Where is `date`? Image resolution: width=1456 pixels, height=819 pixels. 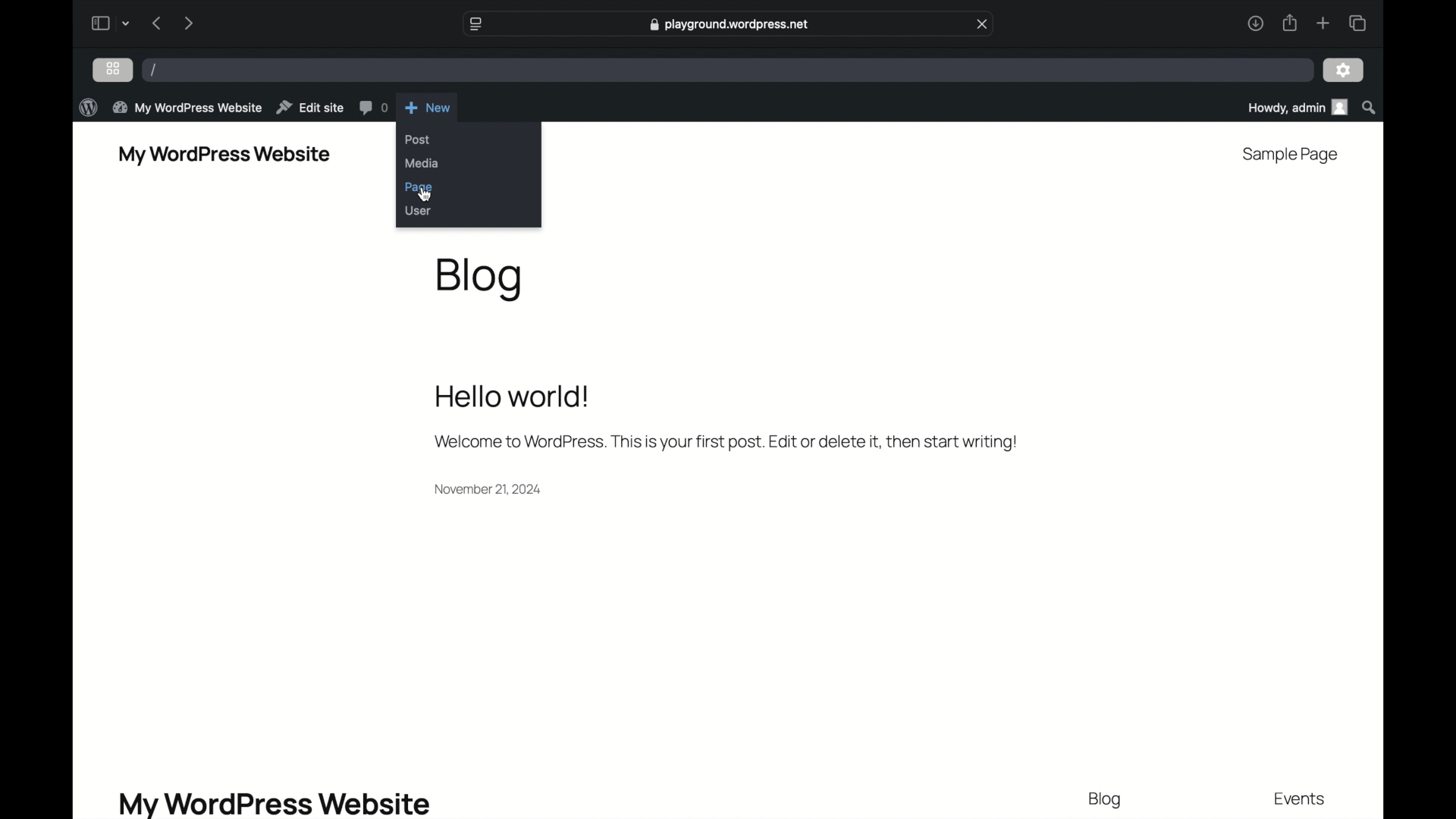 date is located at coordinates (488, 488).